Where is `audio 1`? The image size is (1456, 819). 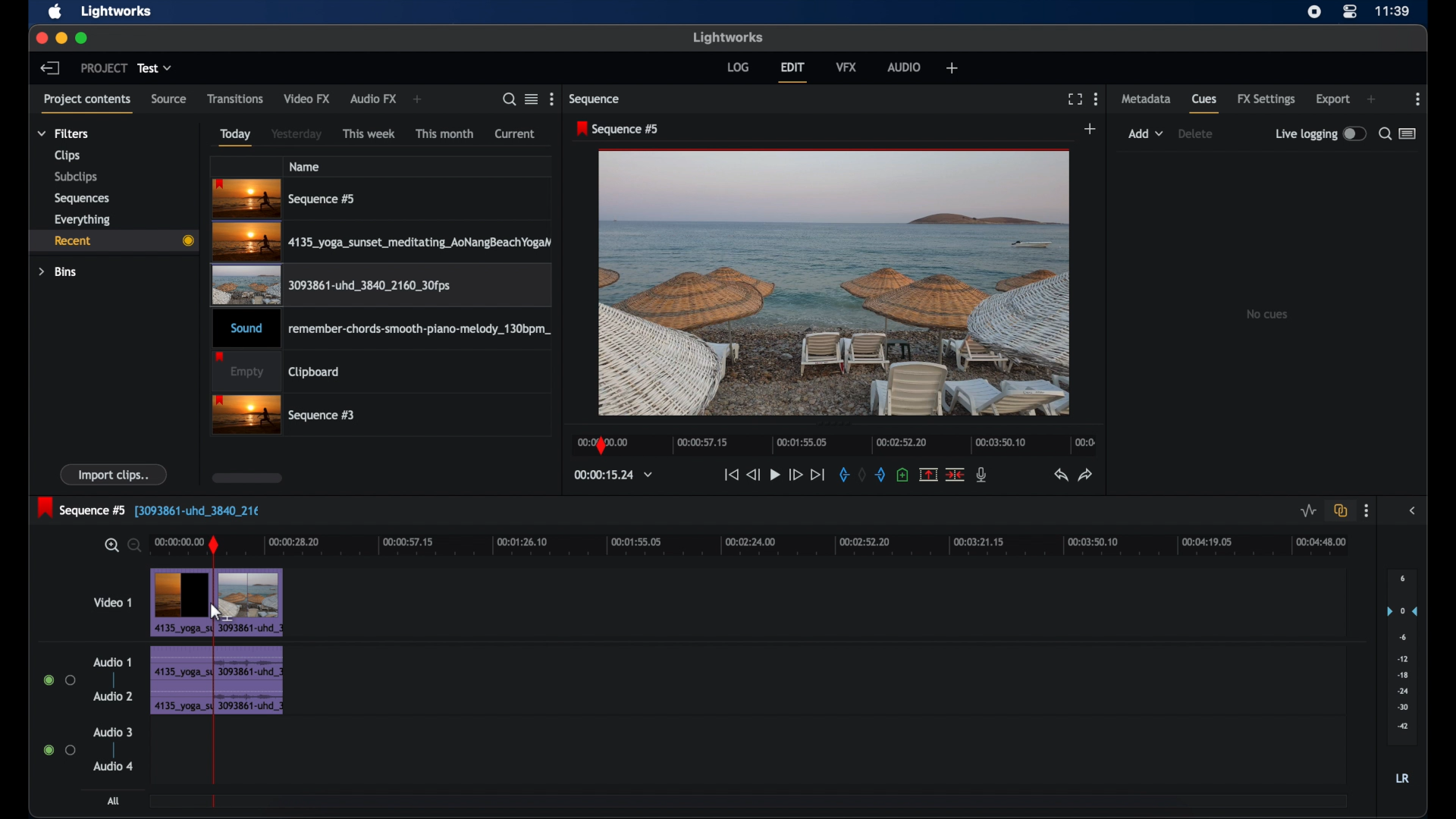
audio 1 is located at coordinates (113, 662).